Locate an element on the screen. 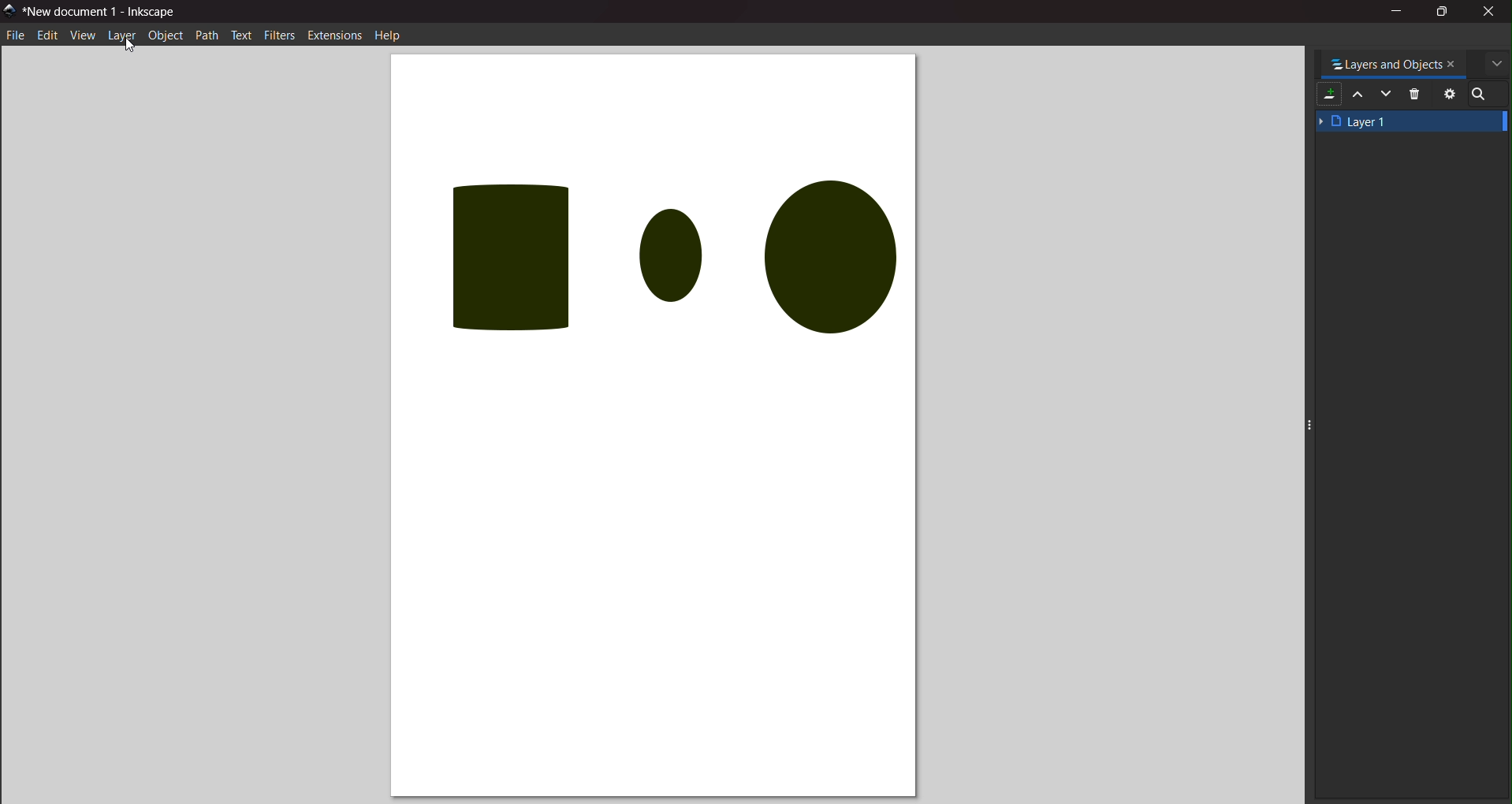 The height and width of the screenshot is (804, 1512). title is located at coordinates (105, 14).